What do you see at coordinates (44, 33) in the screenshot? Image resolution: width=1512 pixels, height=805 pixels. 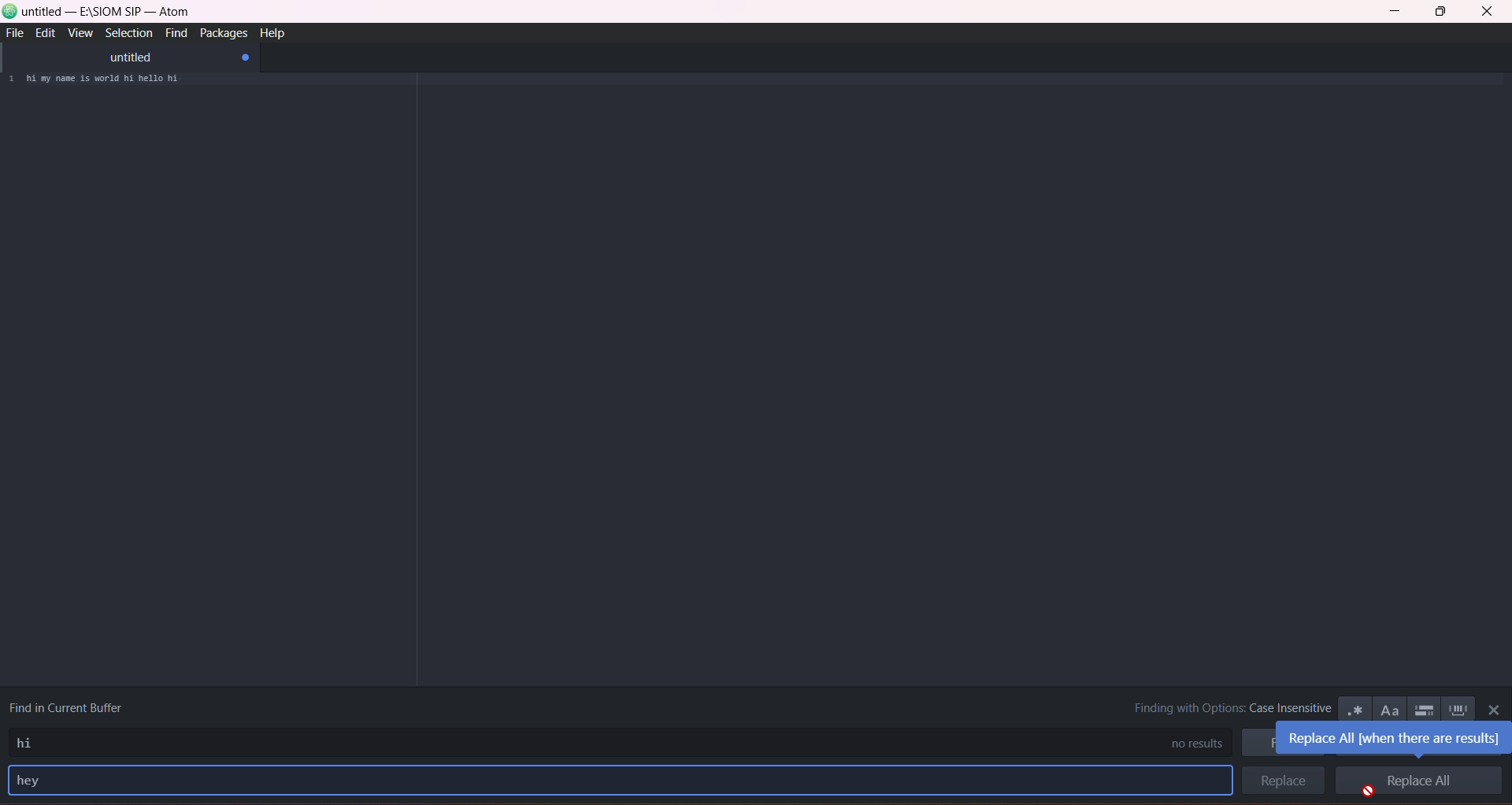 I see `edit` at bounding box center [44, 33].